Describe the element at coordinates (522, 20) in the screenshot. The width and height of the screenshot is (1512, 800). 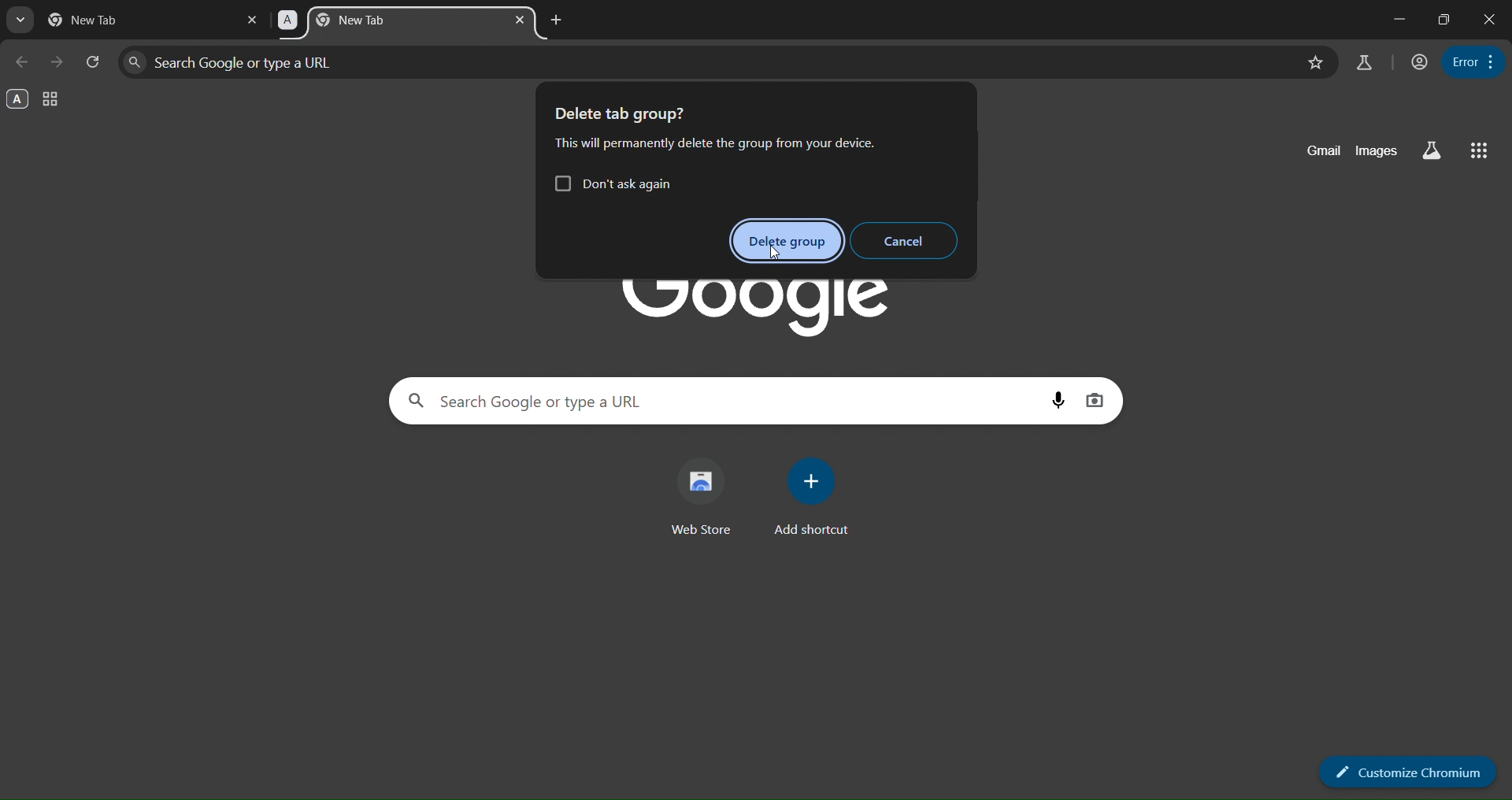
I see `close tab` at that location.